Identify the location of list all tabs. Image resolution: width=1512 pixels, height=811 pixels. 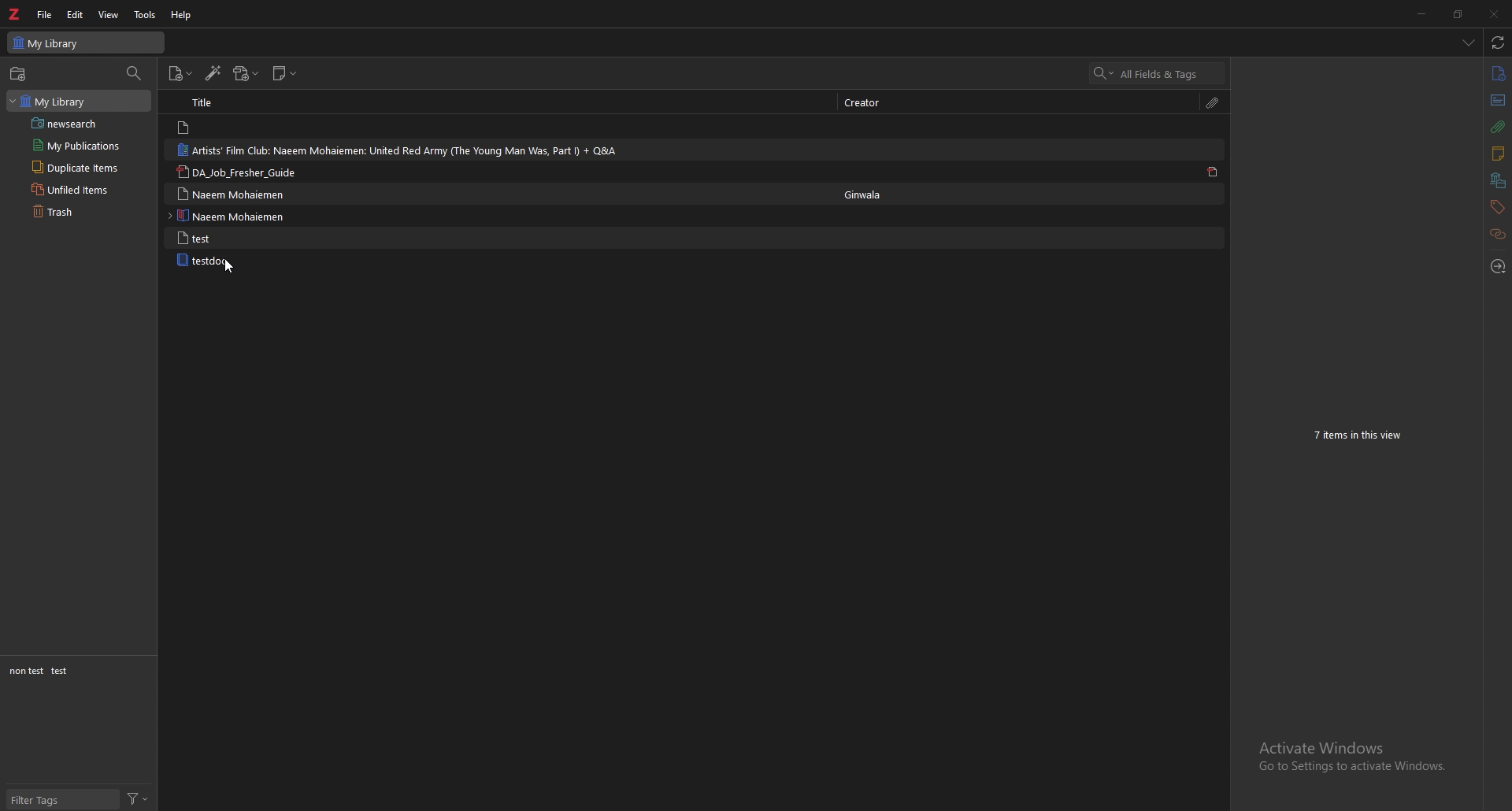
(1469, 42).